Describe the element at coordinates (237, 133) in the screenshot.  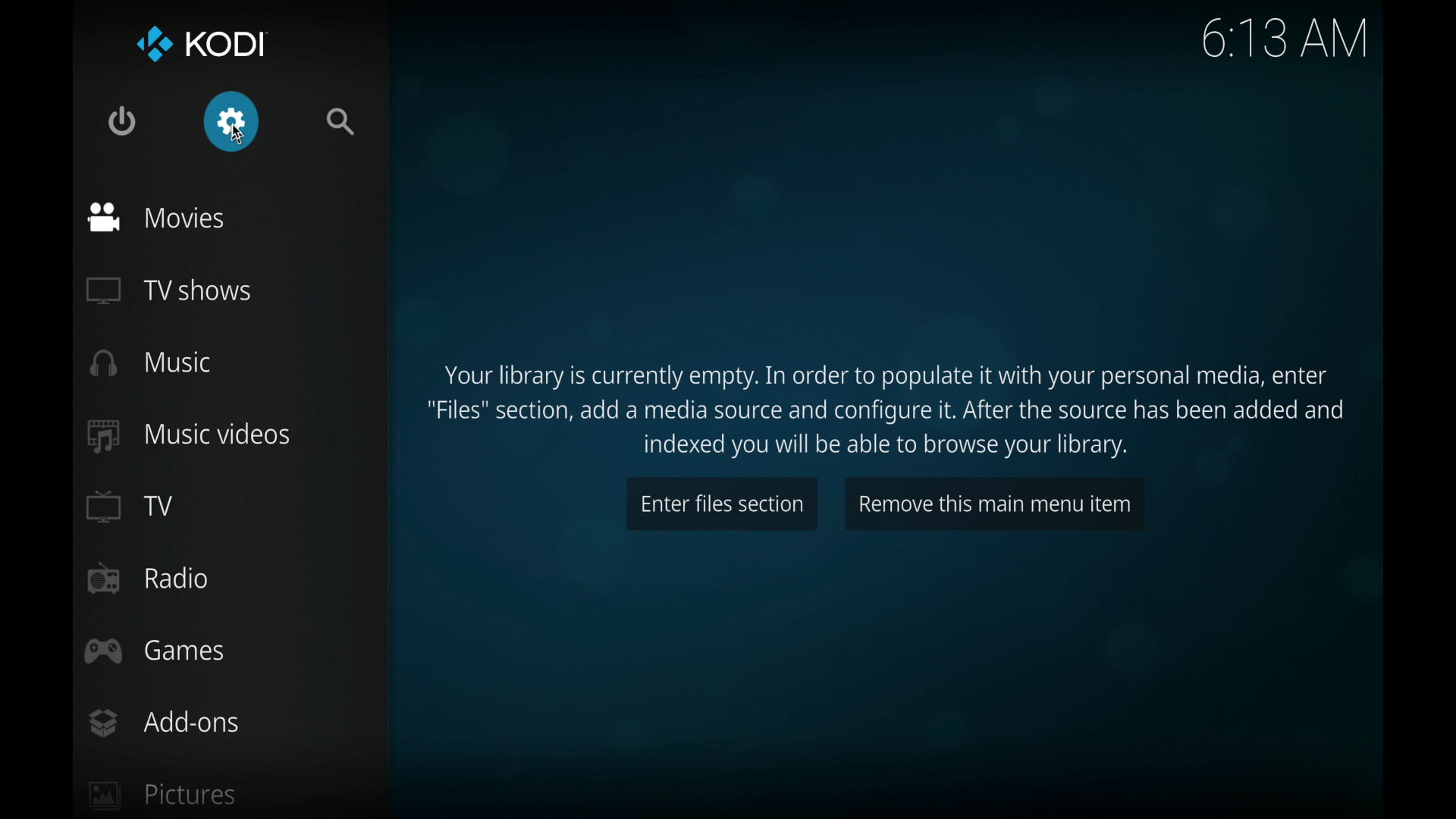
I see `cursor` at that location.